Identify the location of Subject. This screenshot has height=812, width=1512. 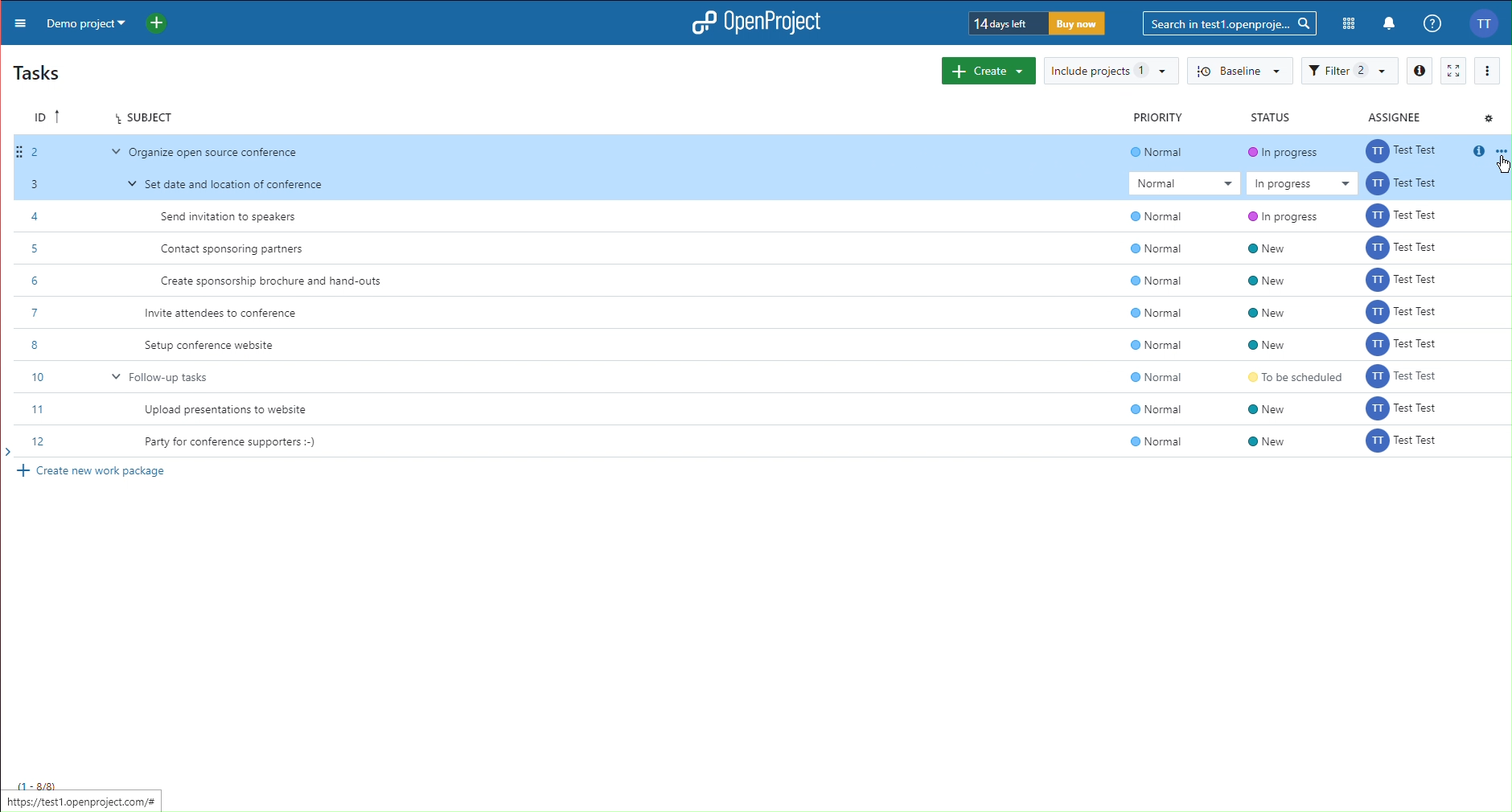
(144, 118).